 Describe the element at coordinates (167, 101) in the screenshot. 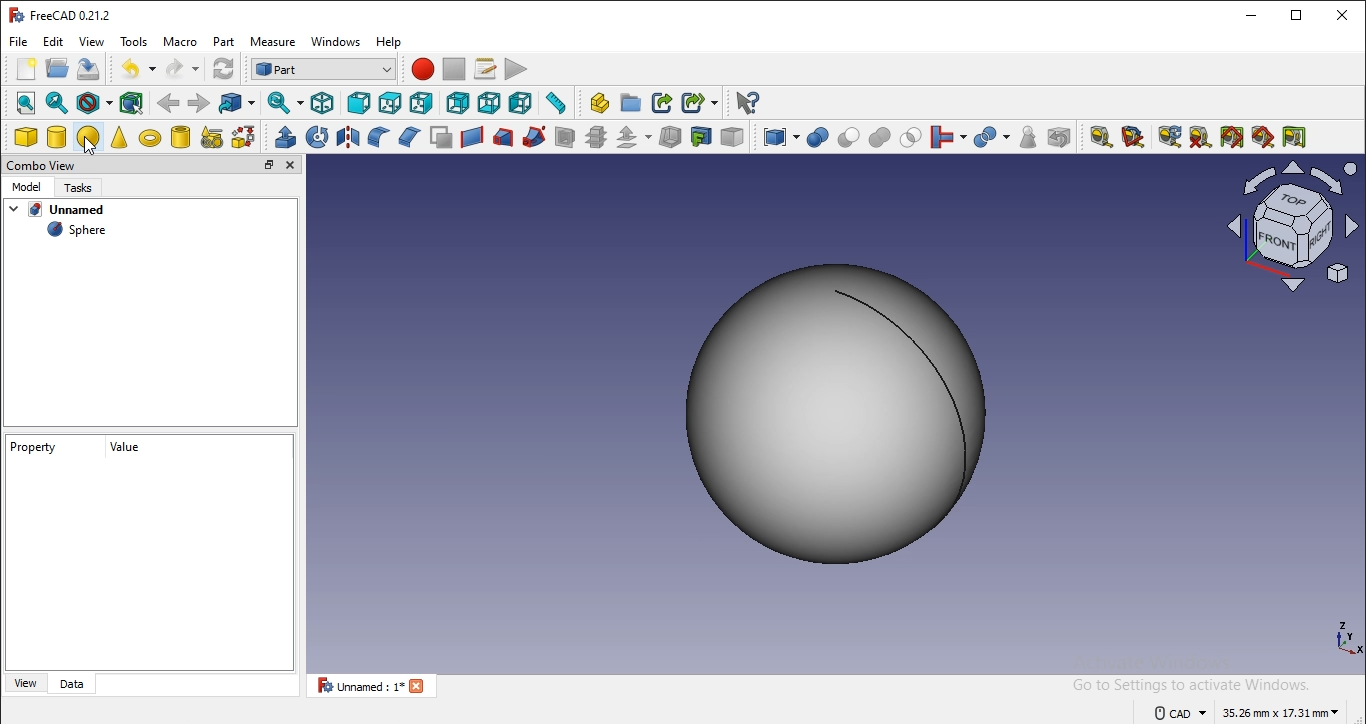

I see `backward` at that location.